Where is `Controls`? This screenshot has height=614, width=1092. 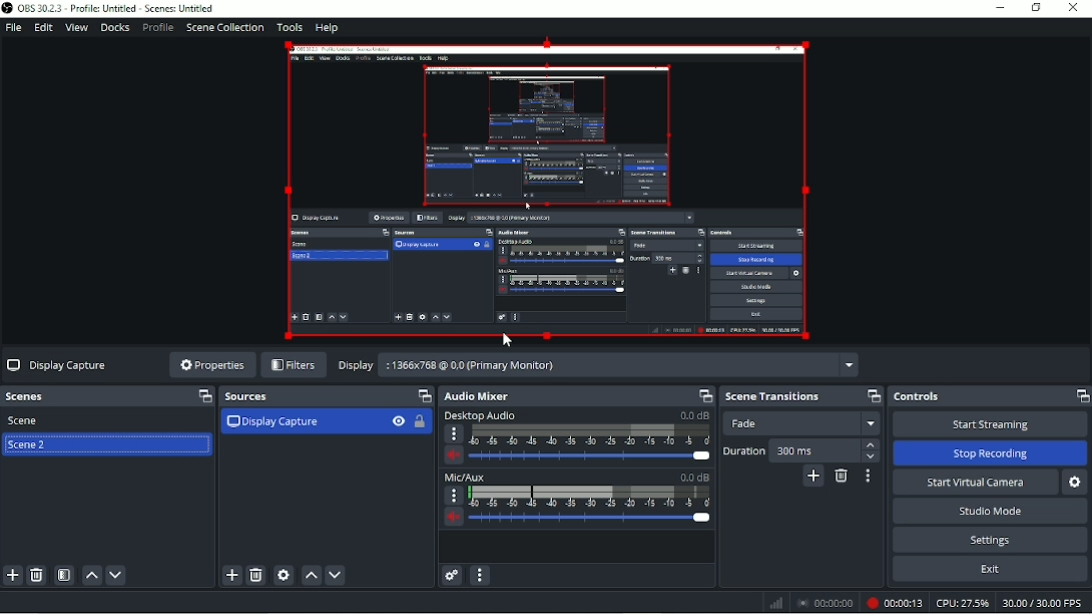 Controls is located at coordinates (919, 397).